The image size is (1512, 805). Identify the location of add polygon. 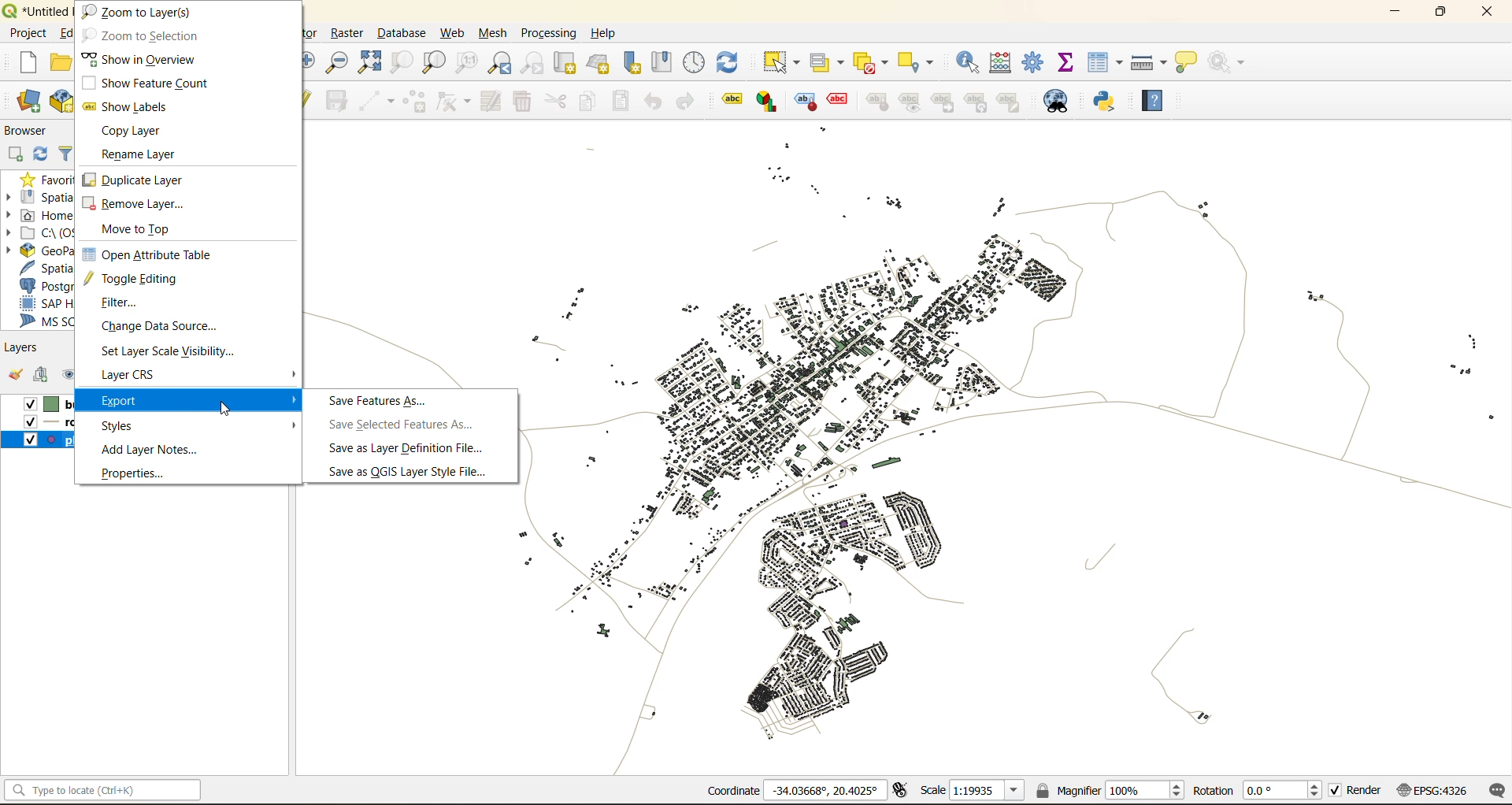
(416, 102).